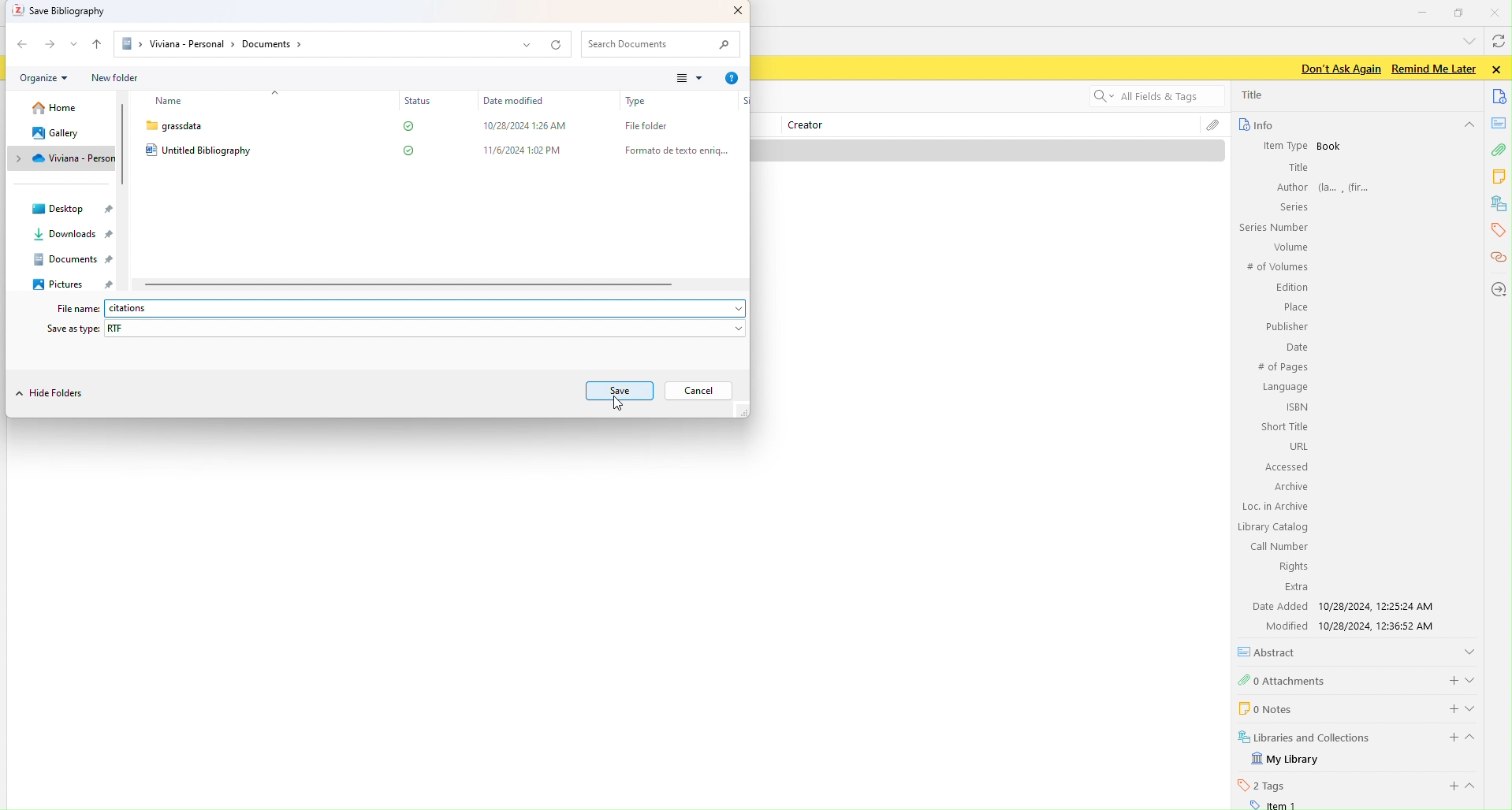  Describe the element at coordinates (64, 12) in the screenshot. I see `Set Bibliography` at that location.